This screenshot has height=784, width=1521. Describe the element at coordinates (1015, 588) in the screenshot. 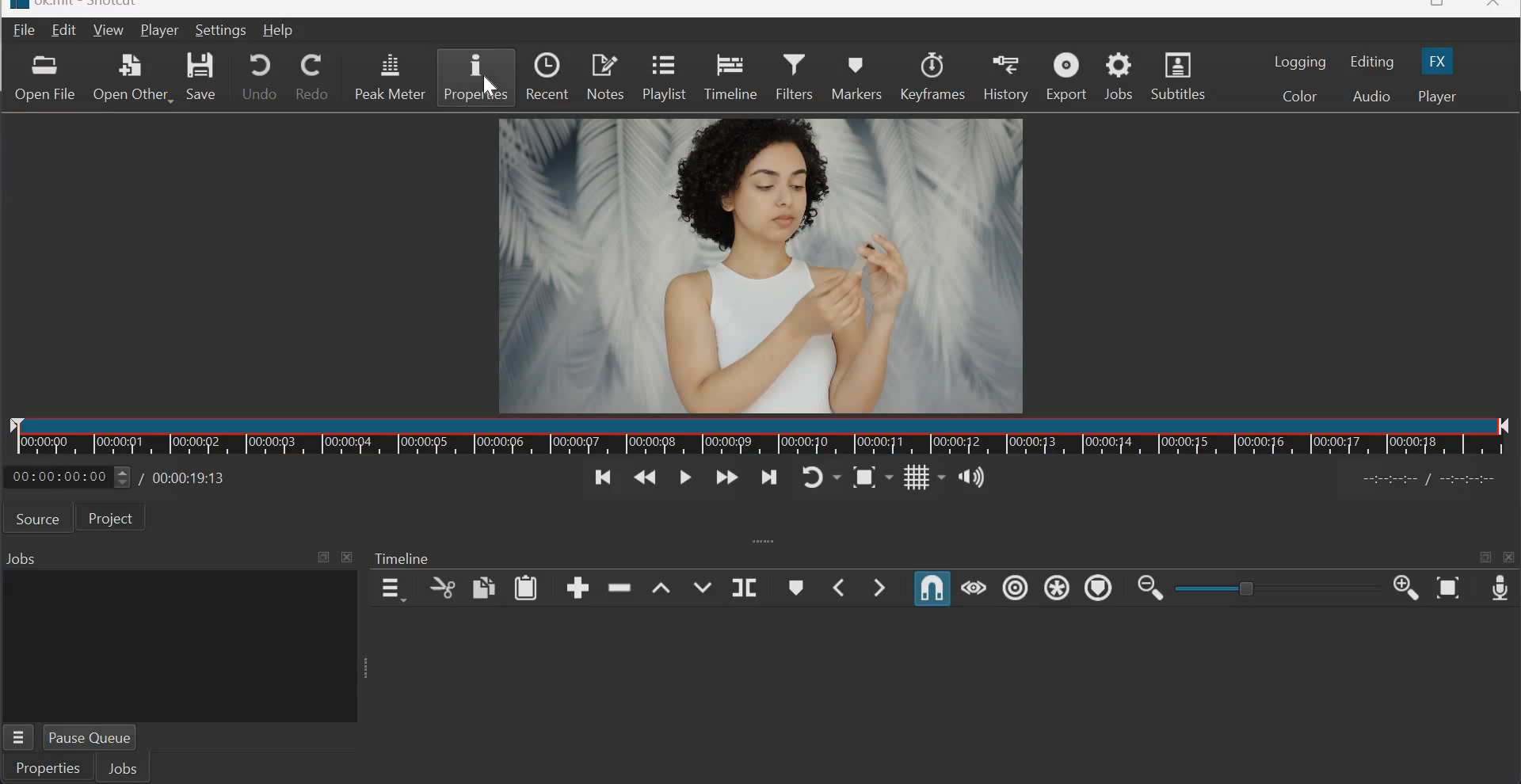

I see `Ripple` at that location.